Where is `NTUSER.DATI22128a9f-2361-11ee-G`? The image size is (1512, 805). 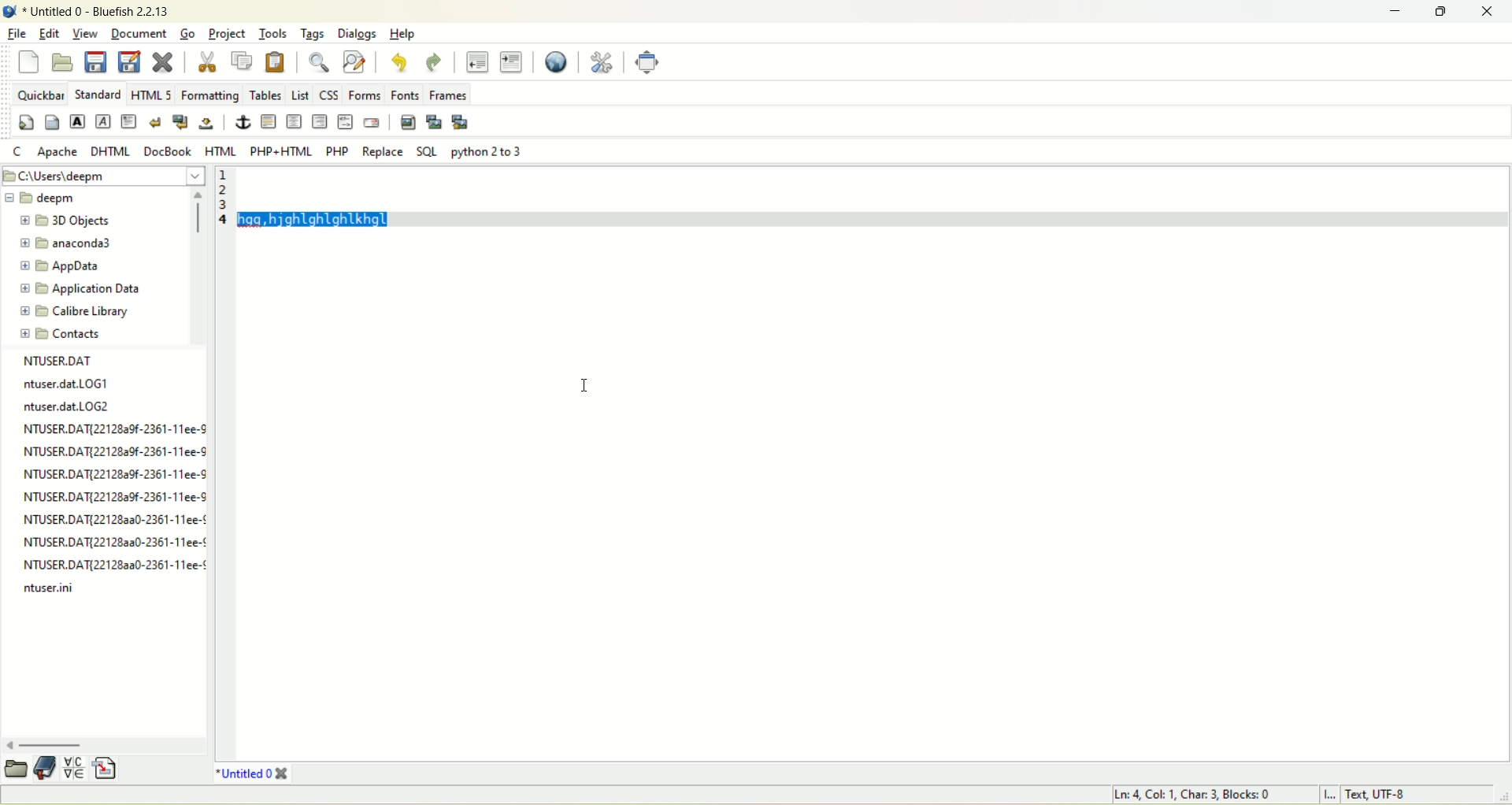
NTUSER.DATI22128a9f-2361-11ee-G is located at coordinates (115, 472).